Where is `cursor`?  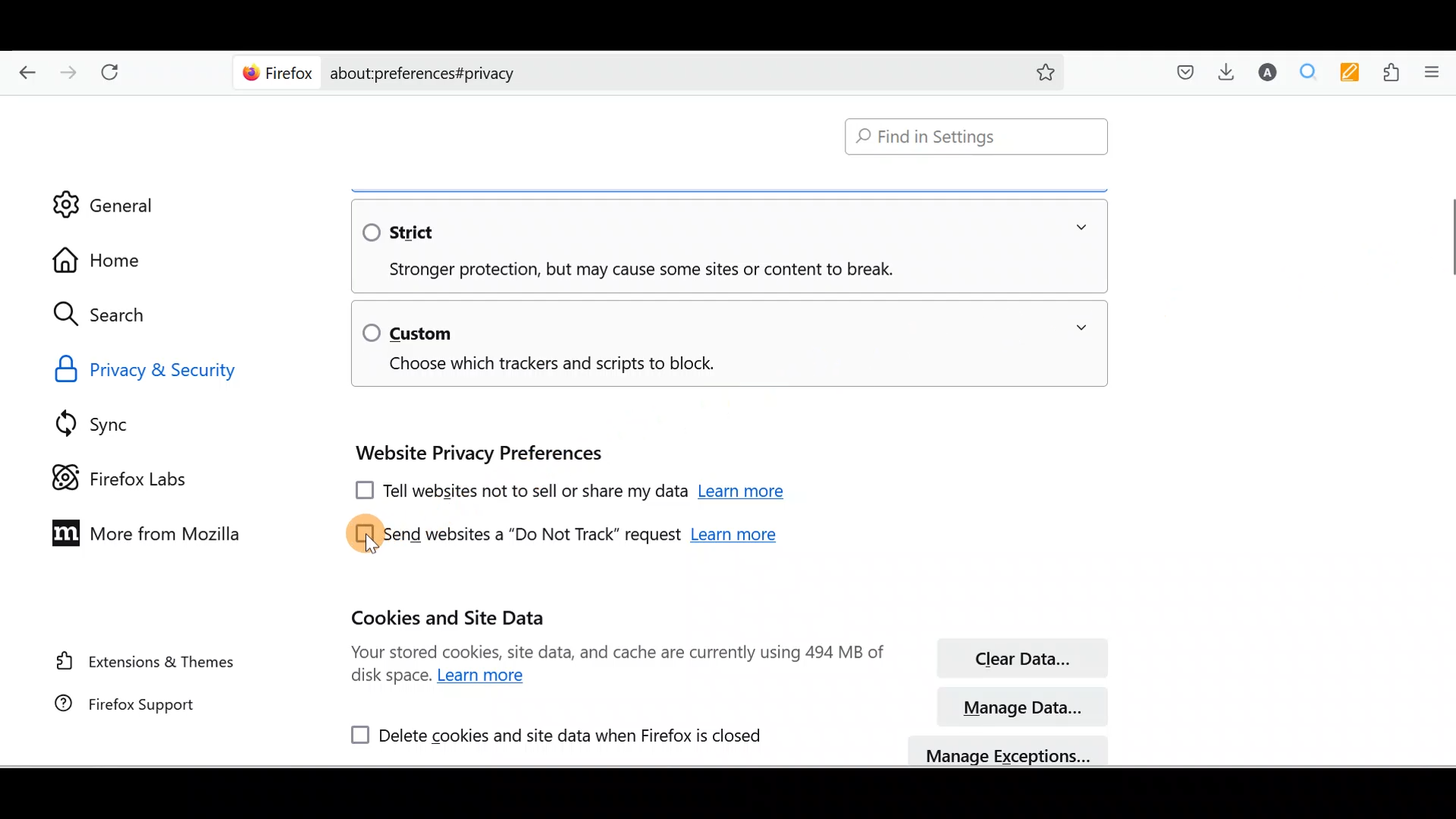
cursor is located at coordinates (370, 546).